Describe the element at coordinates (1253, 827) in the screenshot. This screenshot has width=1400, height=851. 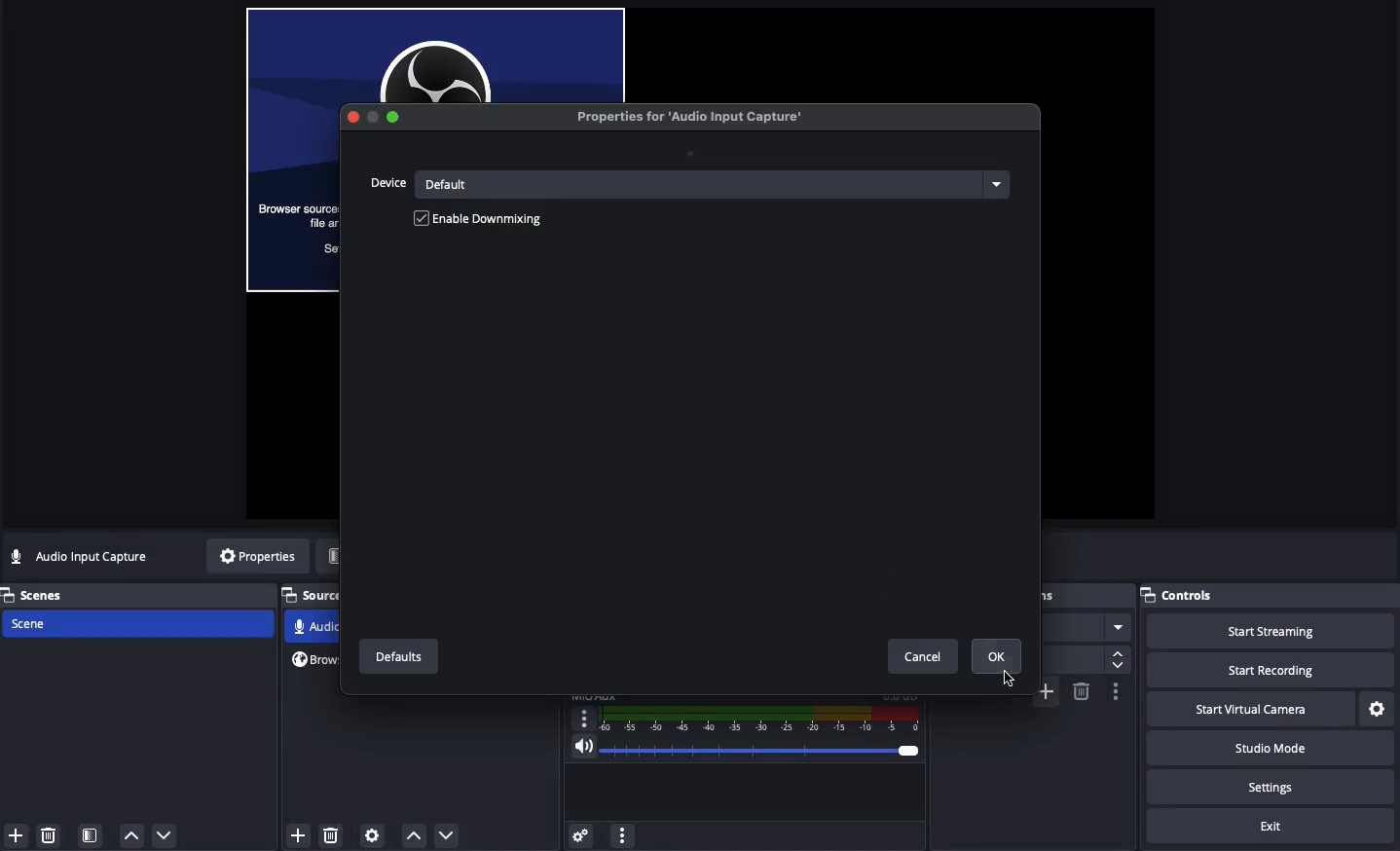
I see `Exit` at that location.